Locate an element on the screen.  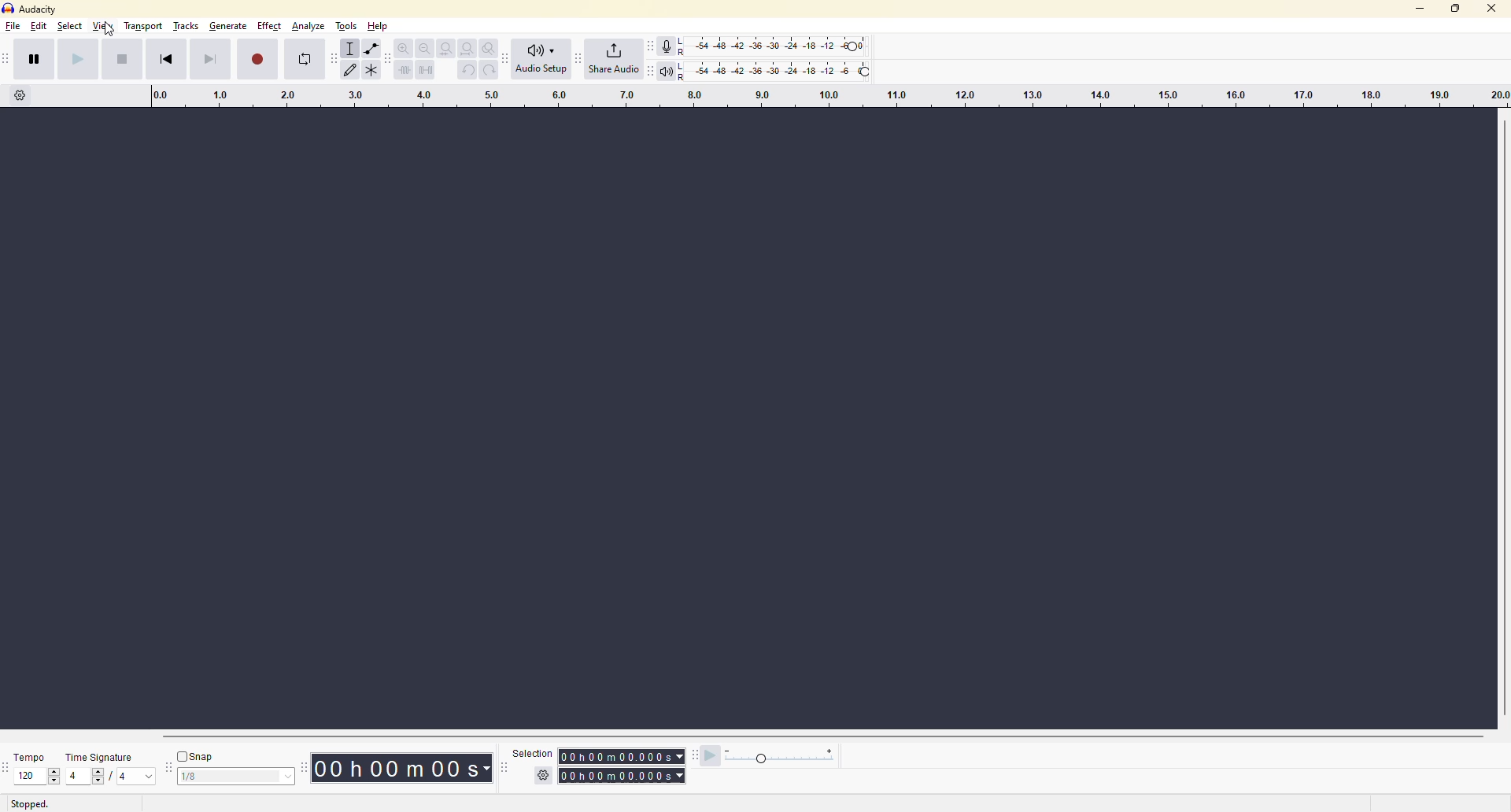
playback levels is located at coordinates (793, 69).